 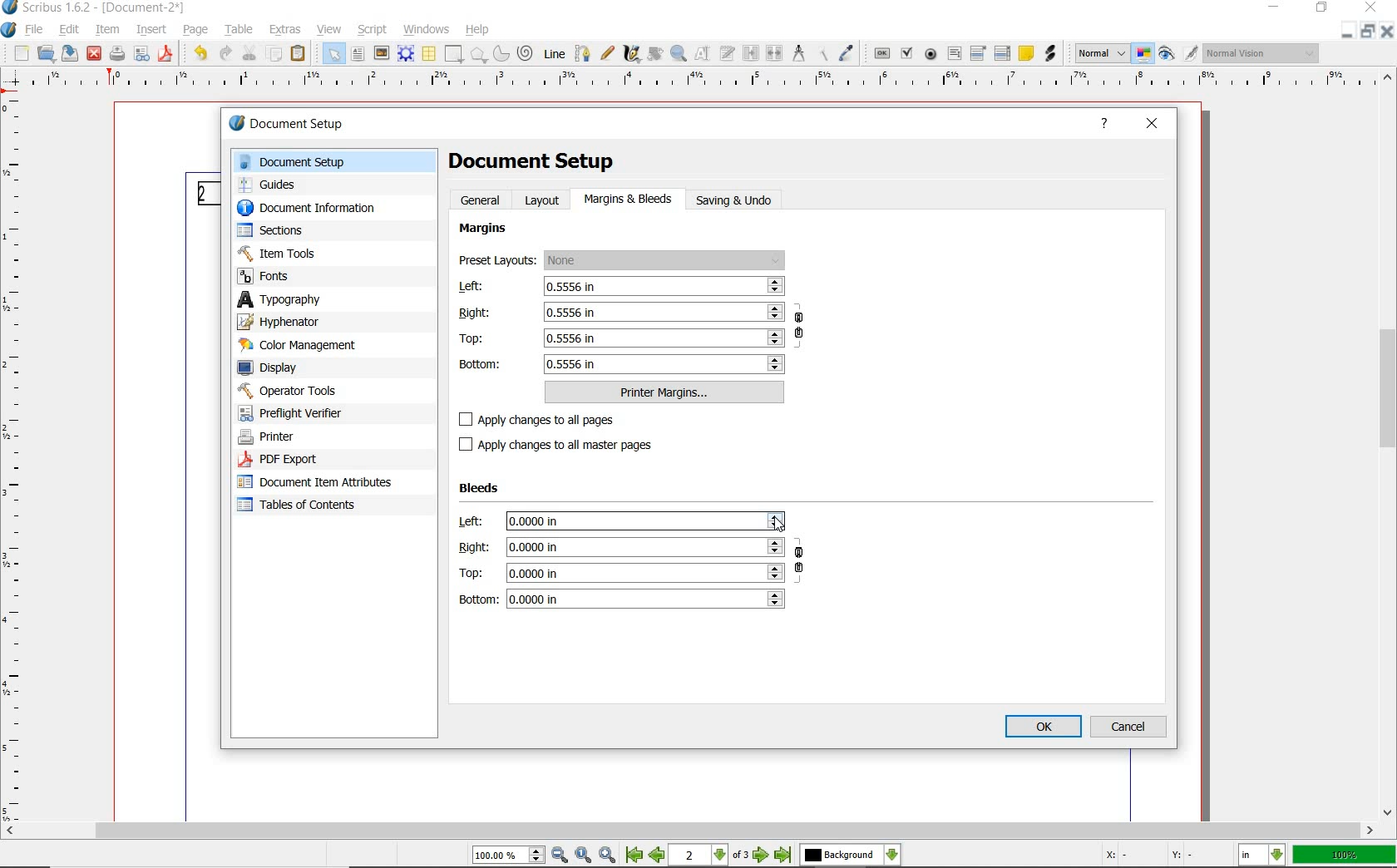 What do you see at coordinates (316, 483) in the screenshot?
I see `document item attributes` at bounding box center [316, 483].